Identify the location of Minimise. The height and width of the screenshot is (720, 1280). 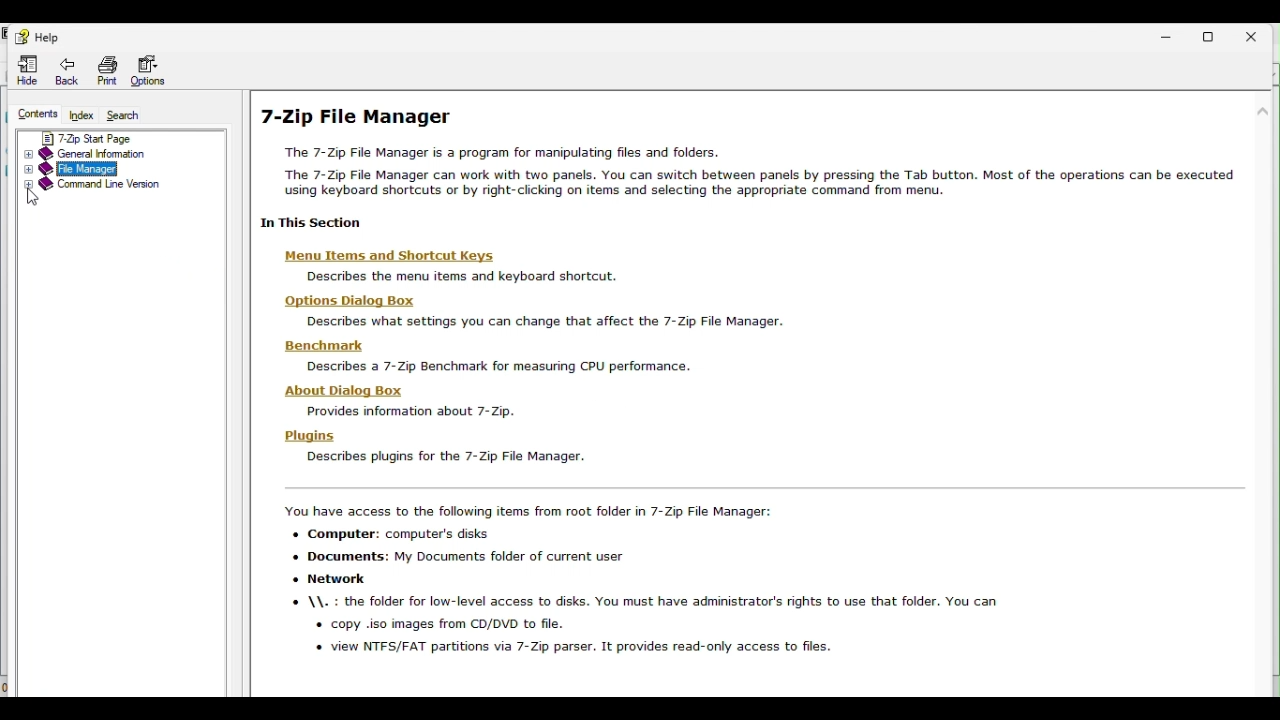
(1169, 34).